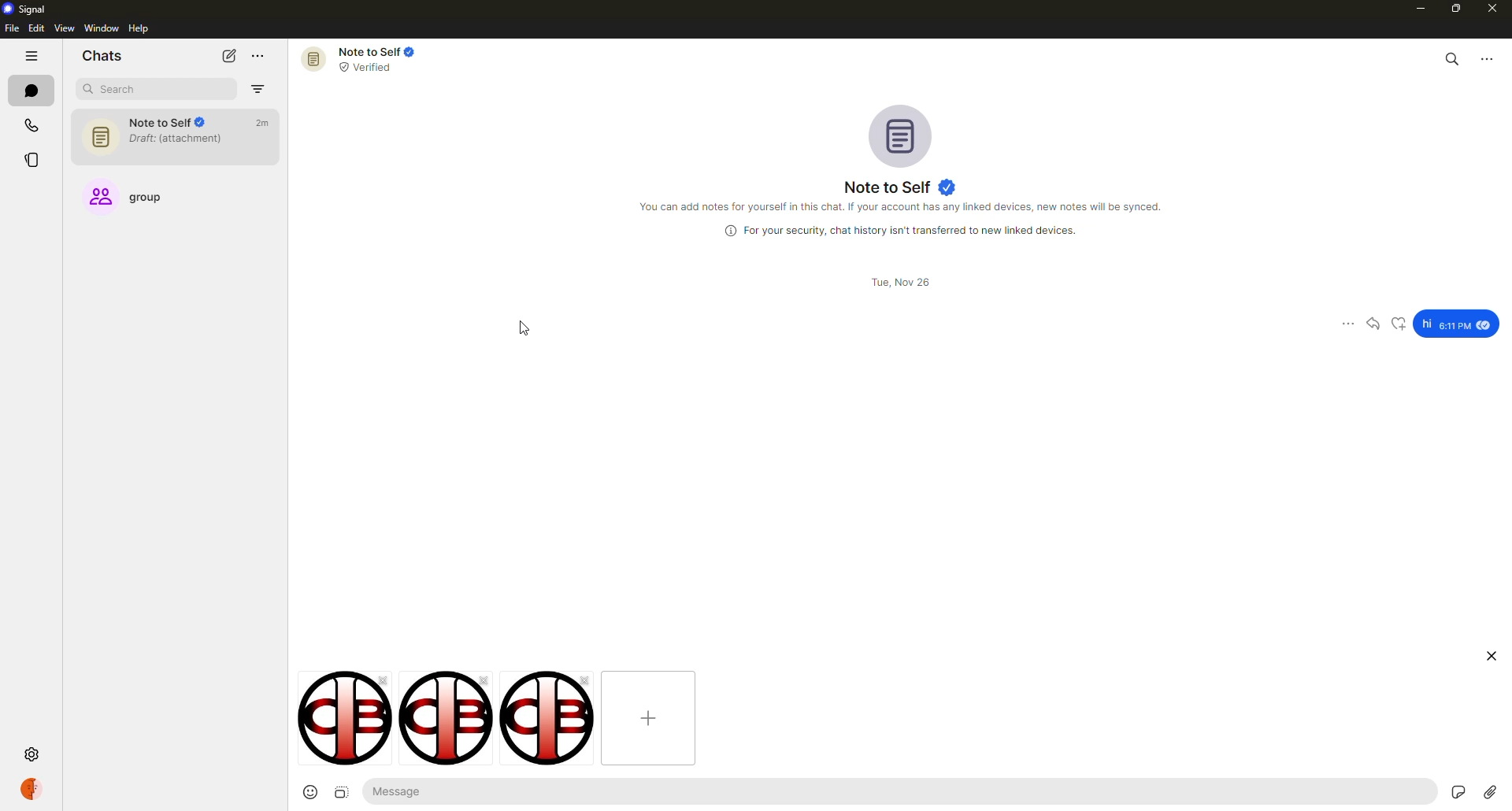  What do you see at coordinates (1456, 12) in the screenshot?
I see `maximize` at bounding box center [1456, 12].